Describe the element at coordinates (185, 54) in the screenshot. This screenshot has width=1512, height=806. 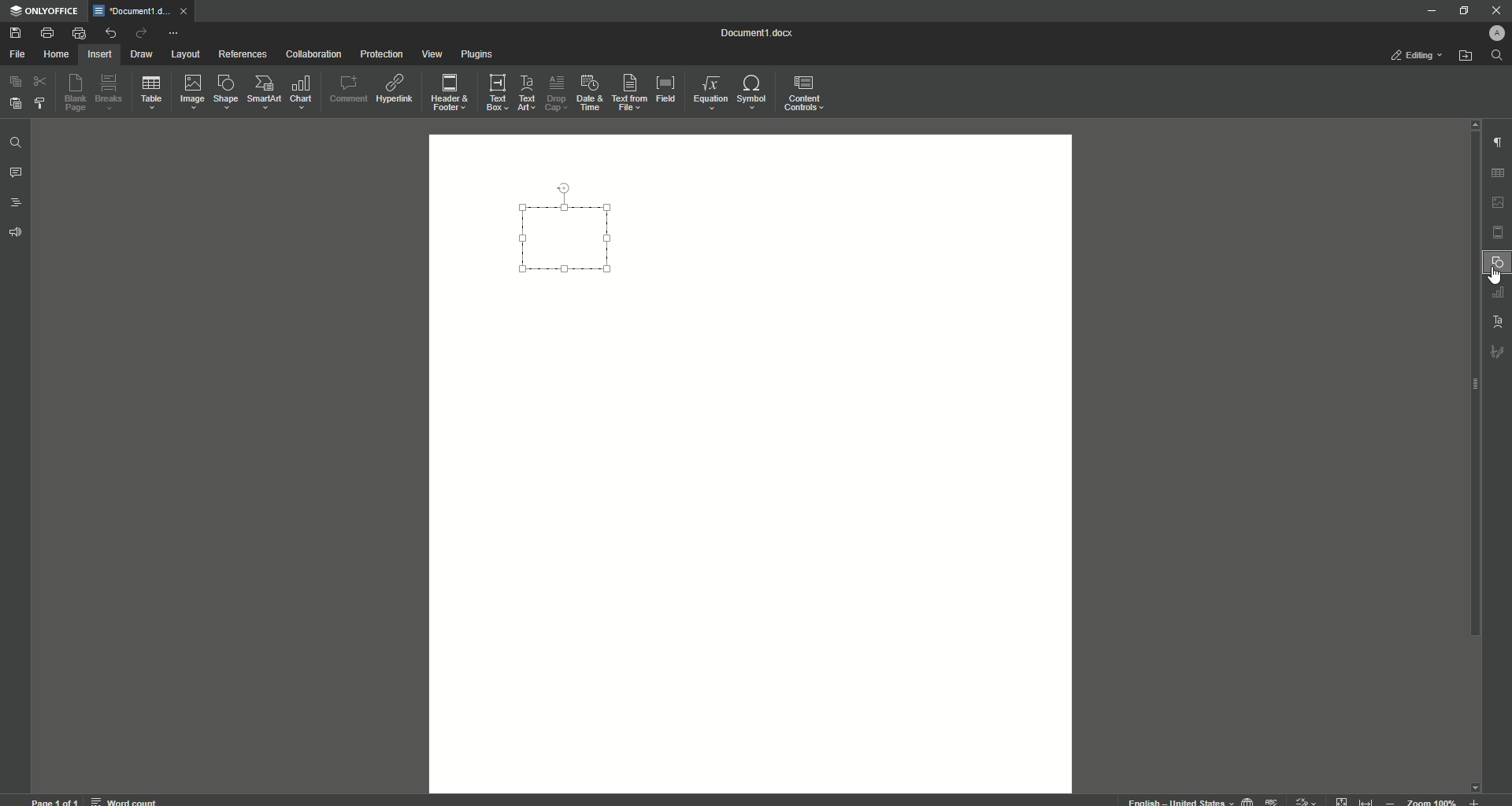
I see `Layout` at that location.